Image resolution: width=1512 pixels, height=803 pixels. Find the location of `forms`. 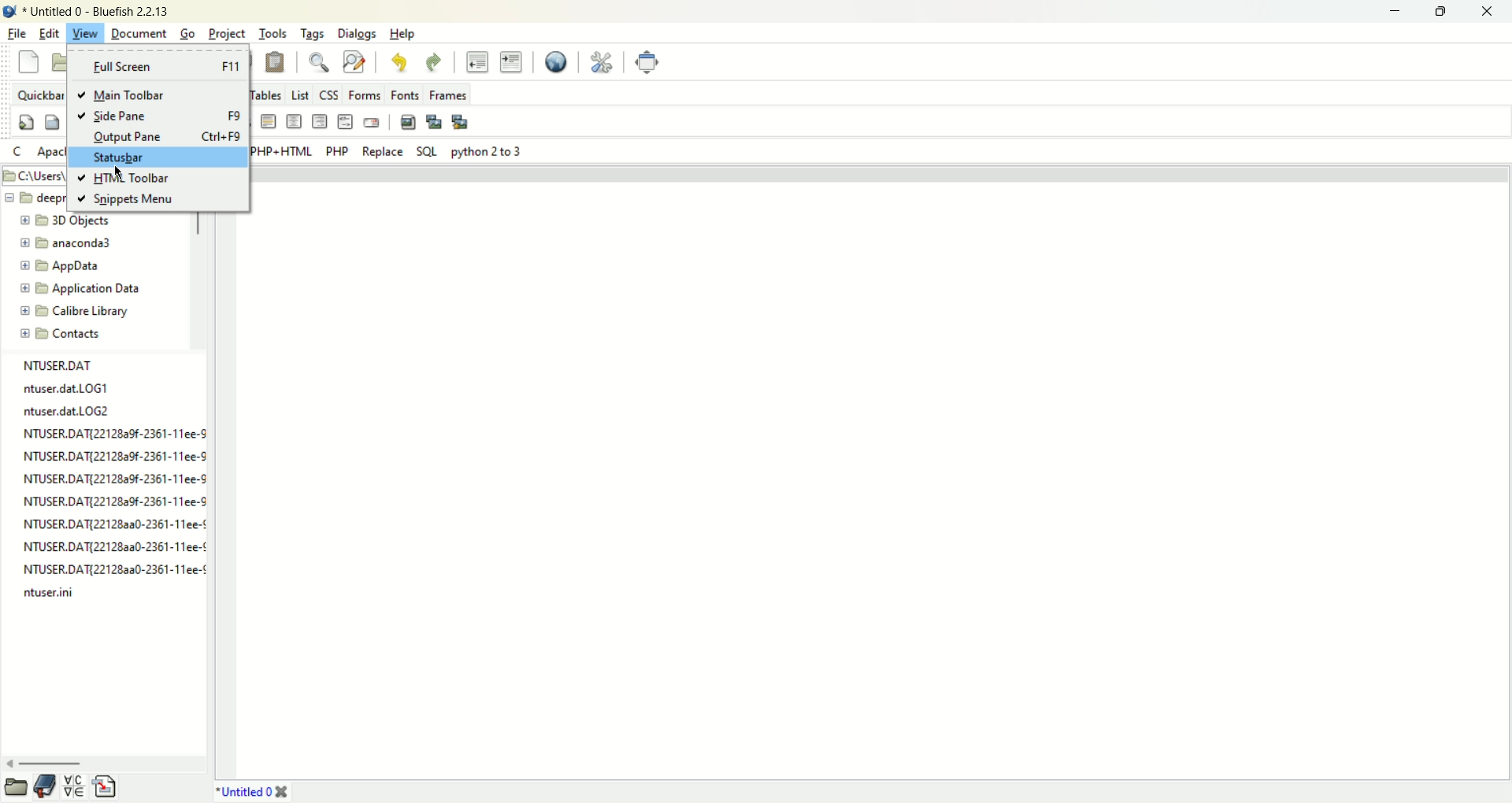

forms is located at coordinates (361, 93).